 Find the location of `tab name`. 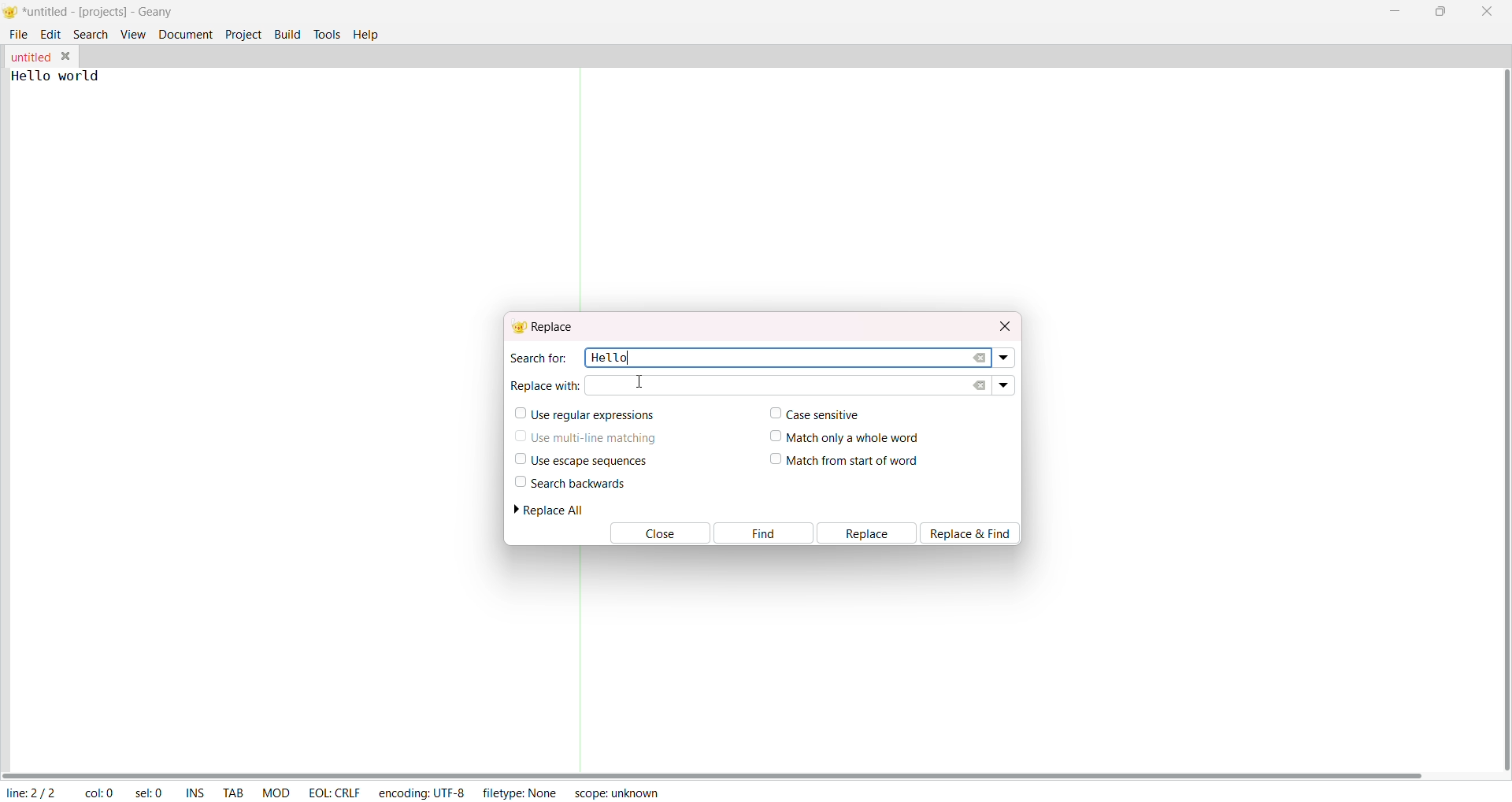

tab name is located at coordinates (30, 57).